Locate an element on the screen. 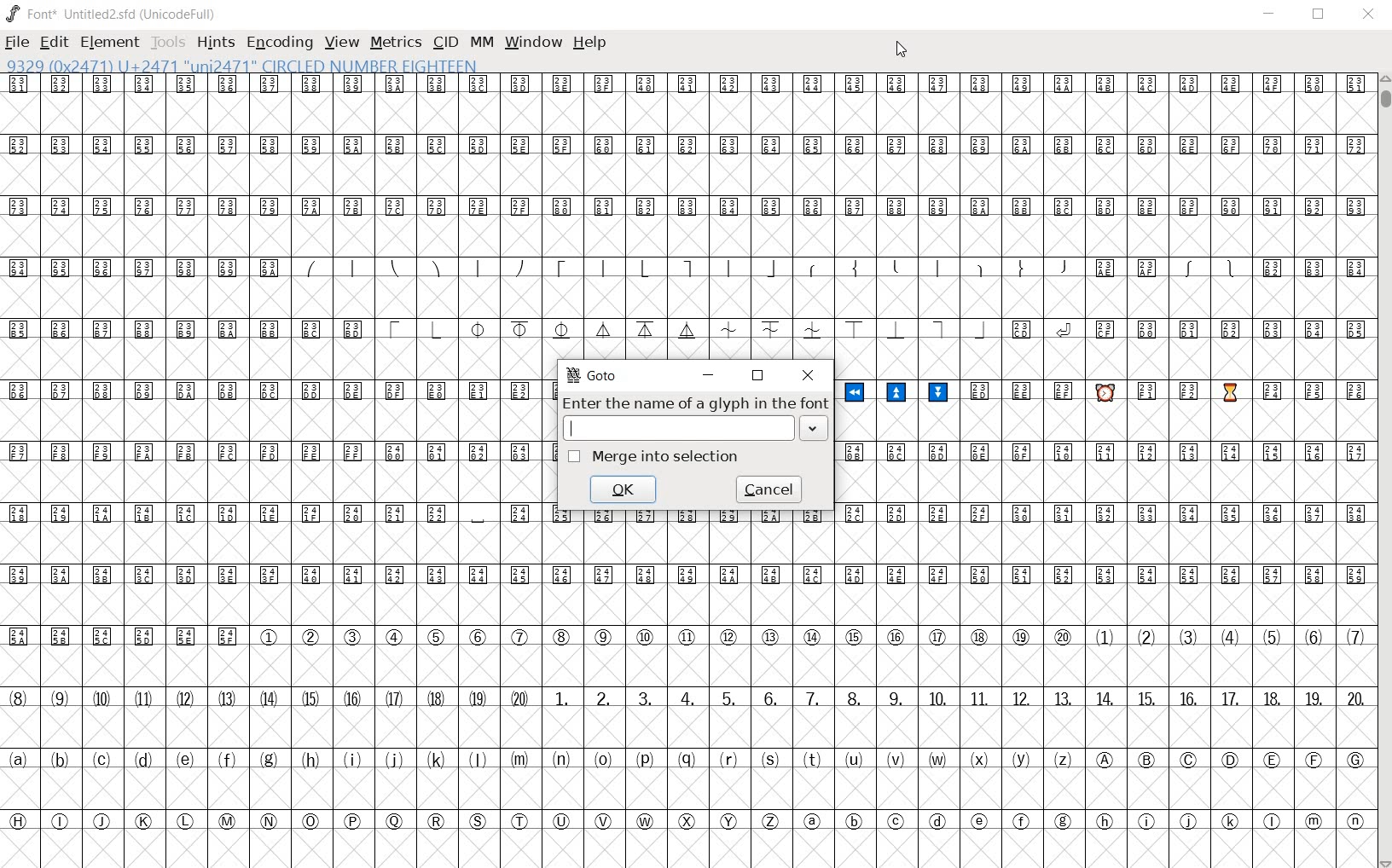  restore is located at coordinates (758, 376).